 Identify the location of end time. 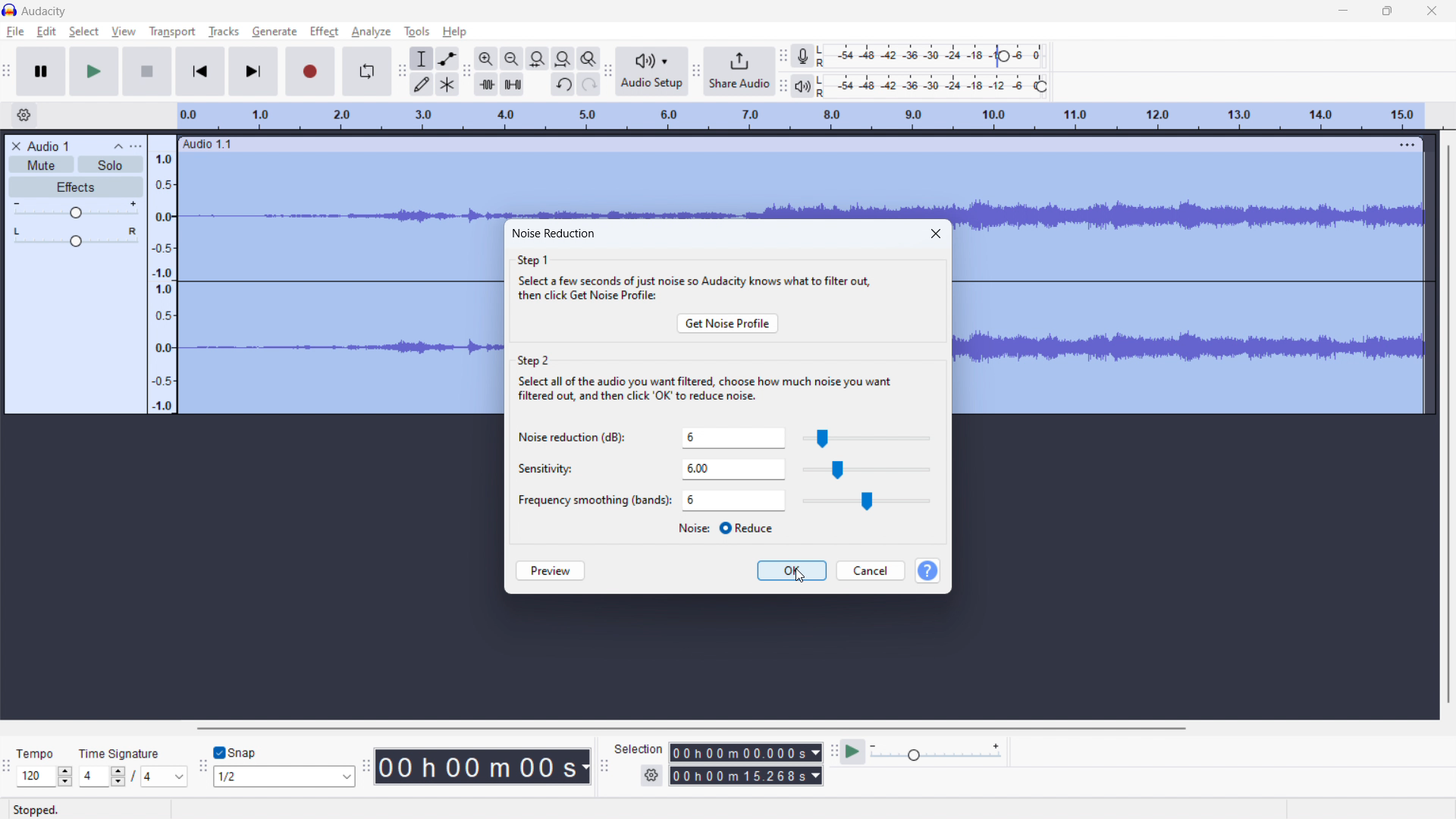
(745, 775).